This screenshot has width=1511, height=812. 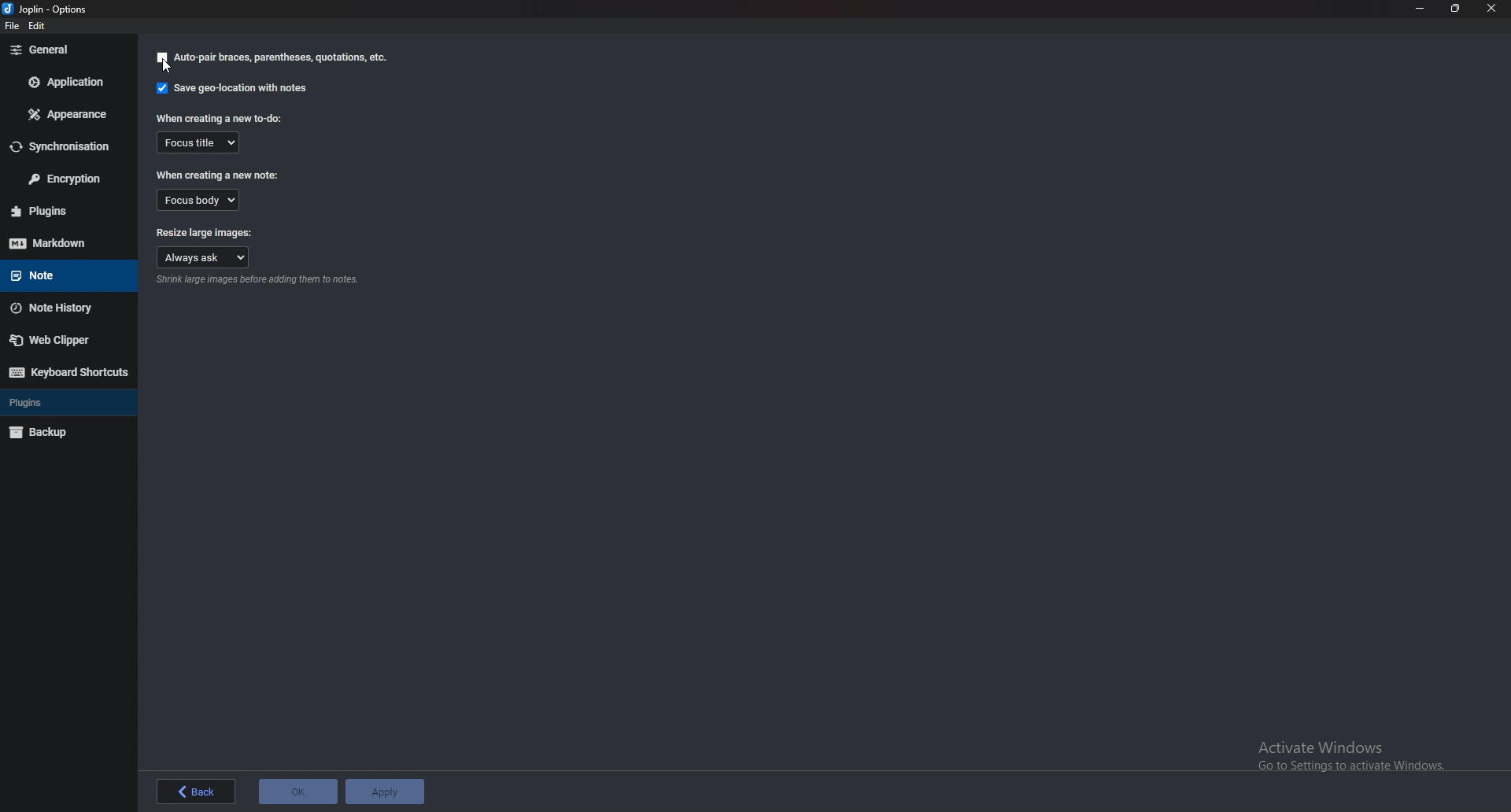 What do you see at coordinates (218, 118) in the screenshot?
I see `When creating a new to do` at bounding box center [218, 118].